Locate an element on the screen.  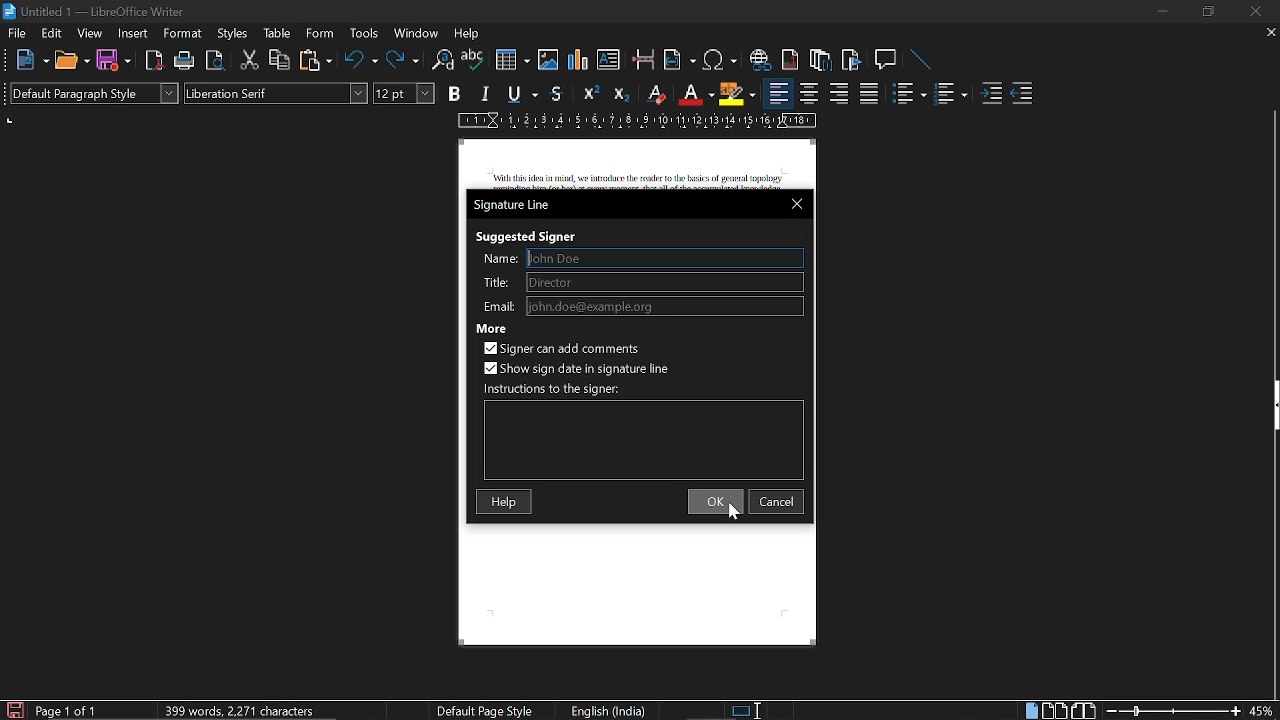
cursor is located at coordinates (734, 514).